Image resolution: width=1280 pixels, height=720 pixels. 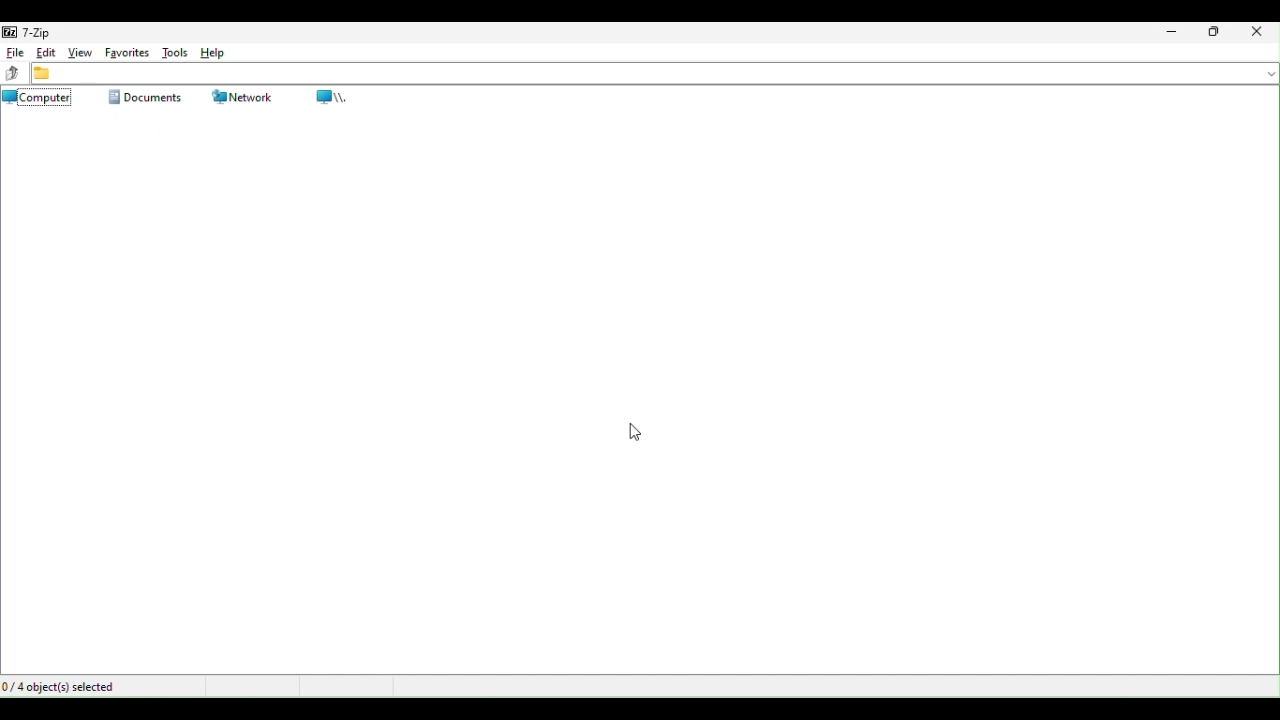 I want to click on Restore, so click(x=1214, y=32).